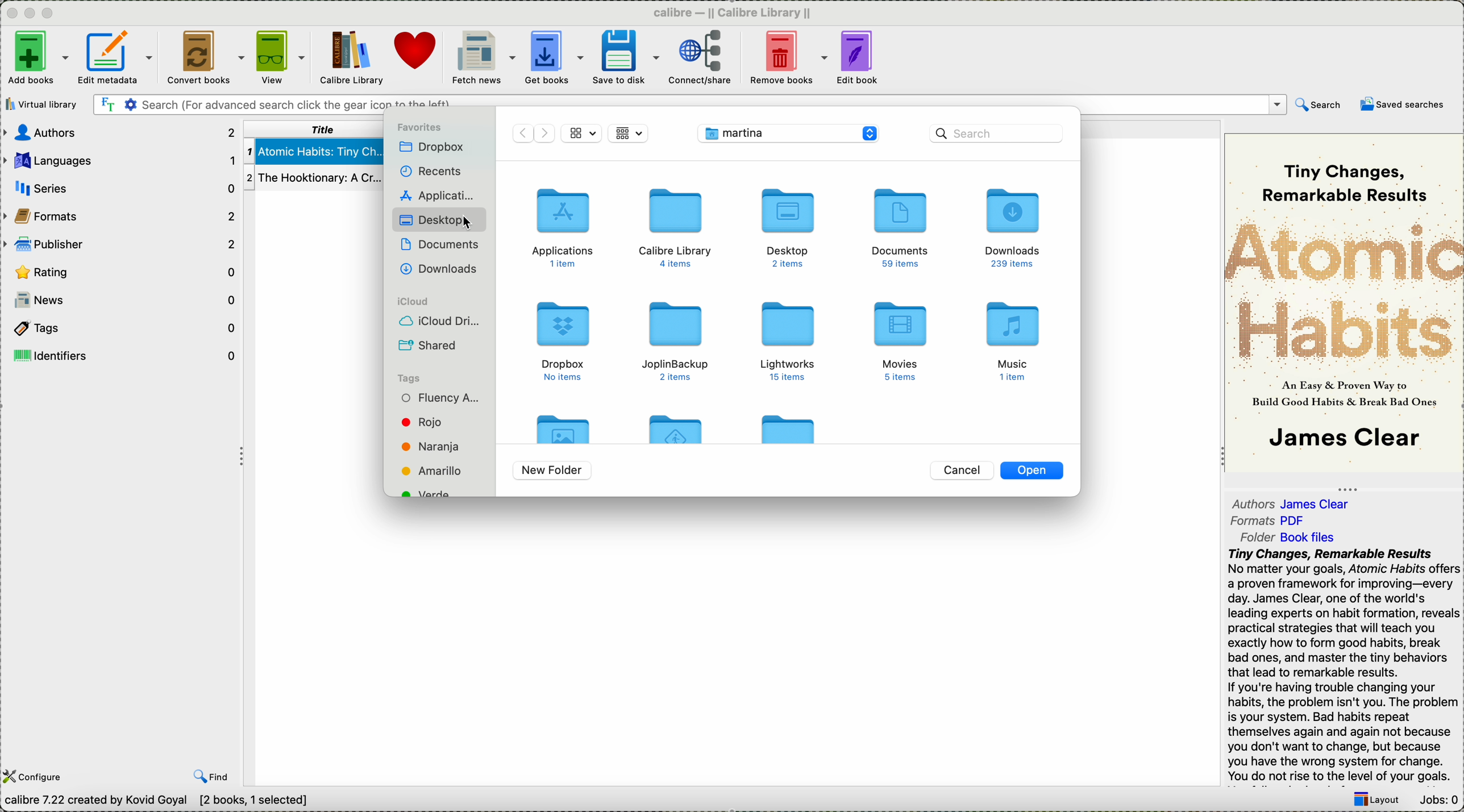 The height and width of the screenshot is (812, 1464). Describe the element at coordinates (676, 341) in the screenshot. I see `Joplin backup` at that location.